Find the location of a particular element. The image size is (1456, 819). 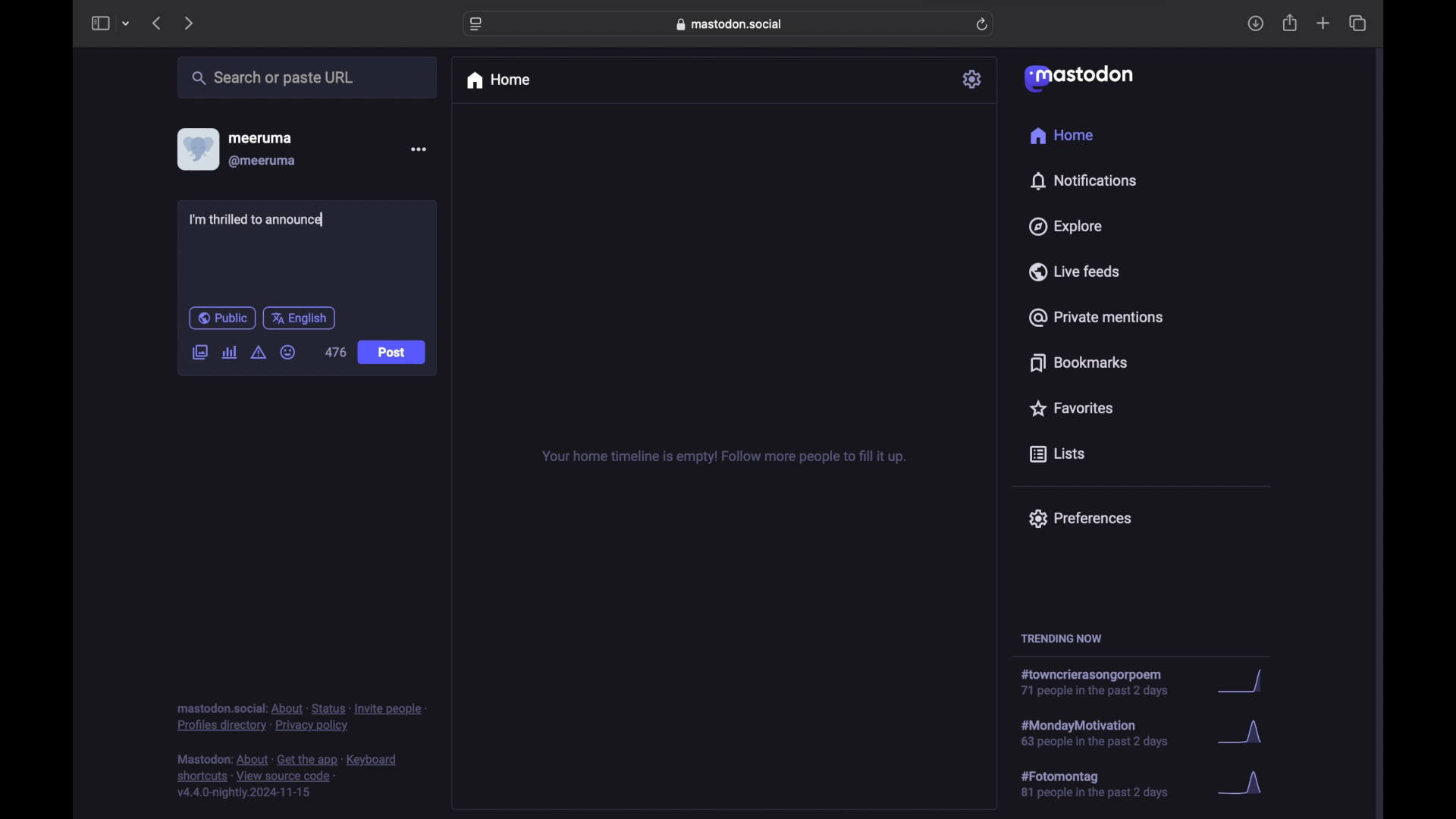

hashtag  trend is located at coordinates (1109, 732).